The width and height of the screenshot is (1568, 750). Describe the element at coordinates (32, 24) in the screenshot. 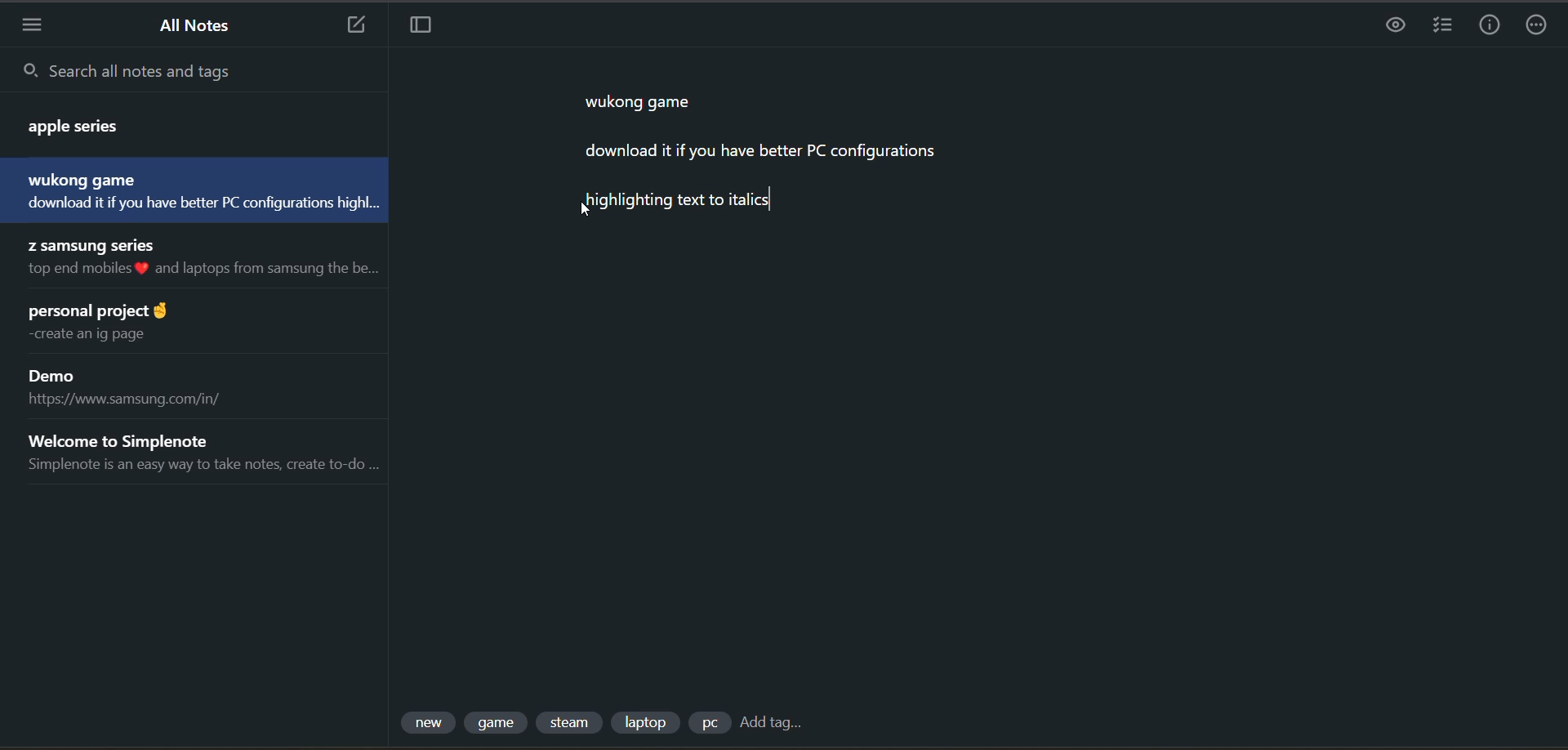

I see `menu` at that location.